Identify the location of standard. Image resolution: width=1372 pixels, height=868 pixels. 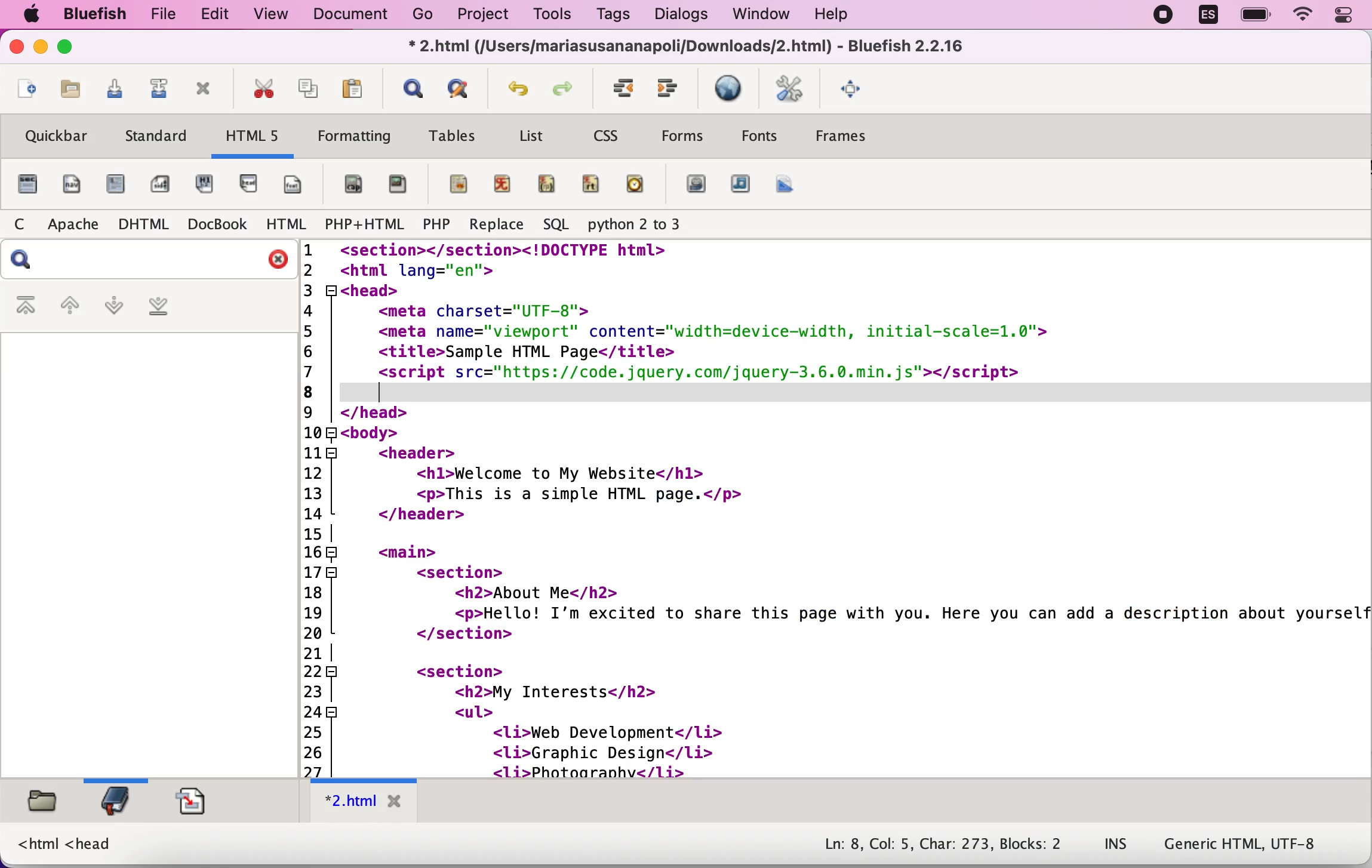
(159, 137).